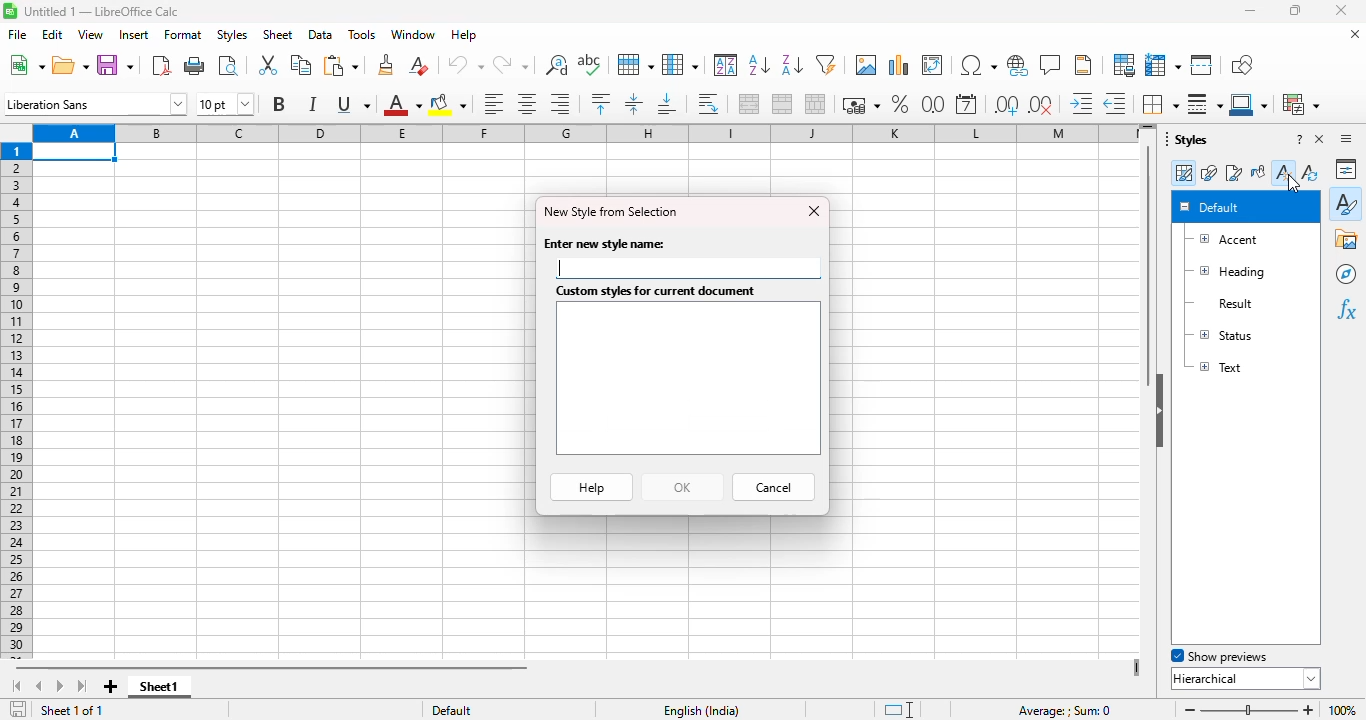 Image resolution: width=1366 pixels, height=720 pixels. Describe the element at coordinates (1223, 240) in the screenshot. I see `accent` at that location.